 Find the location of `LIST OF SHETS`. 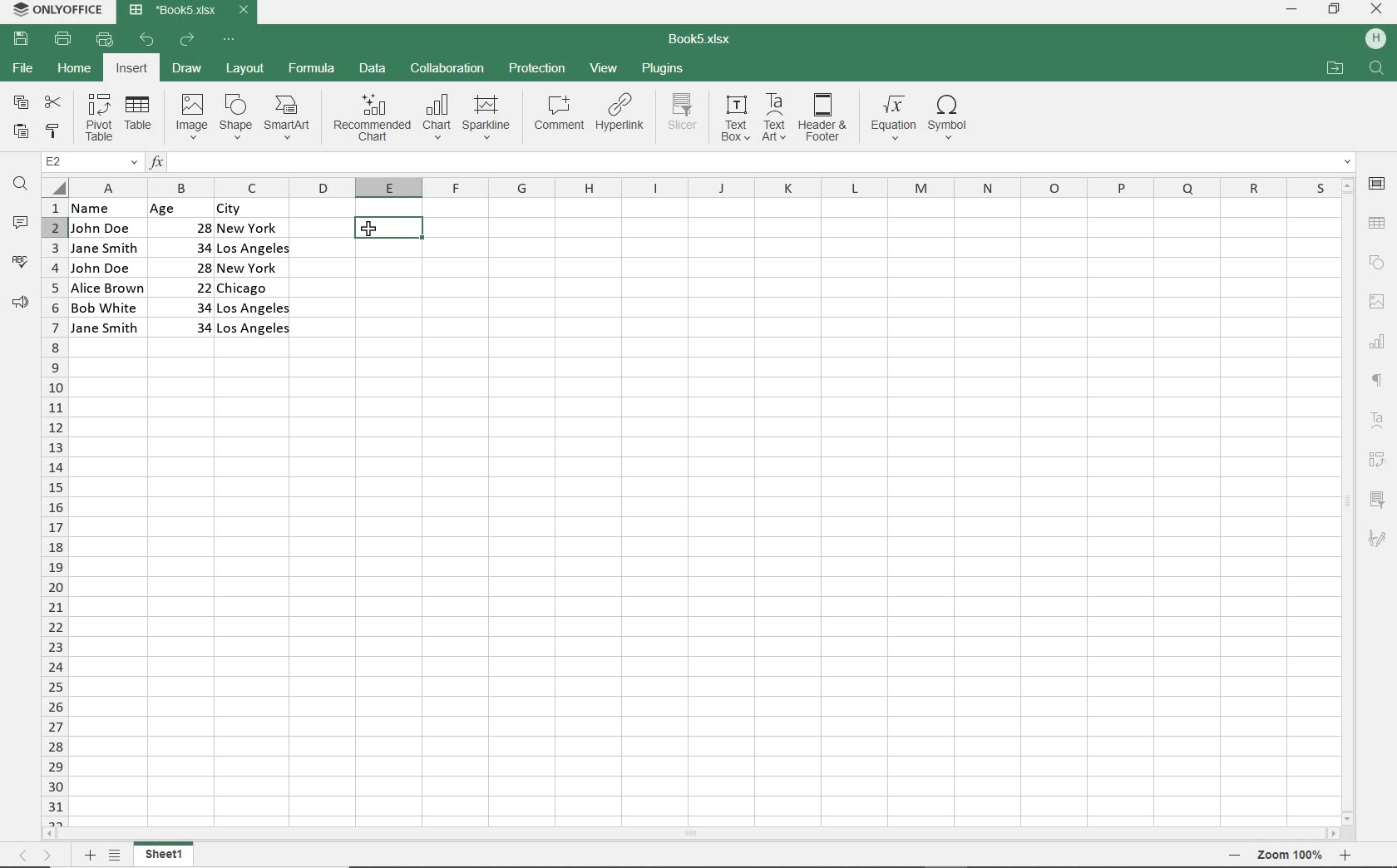

LIST OF SHETS is located at coordinates (115, 856).